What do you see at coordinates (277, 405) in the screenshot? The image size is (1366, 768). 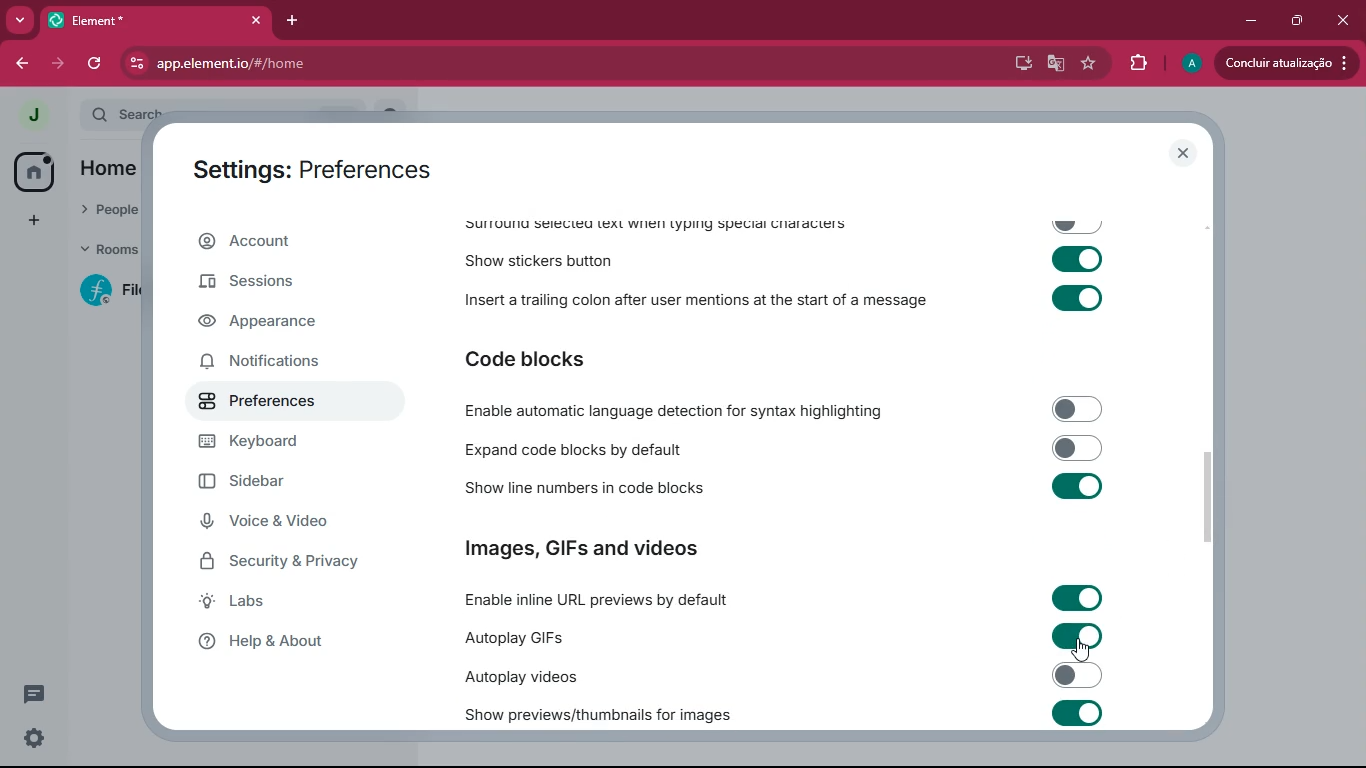 I see `preferences` at bounding box center [277, 405].